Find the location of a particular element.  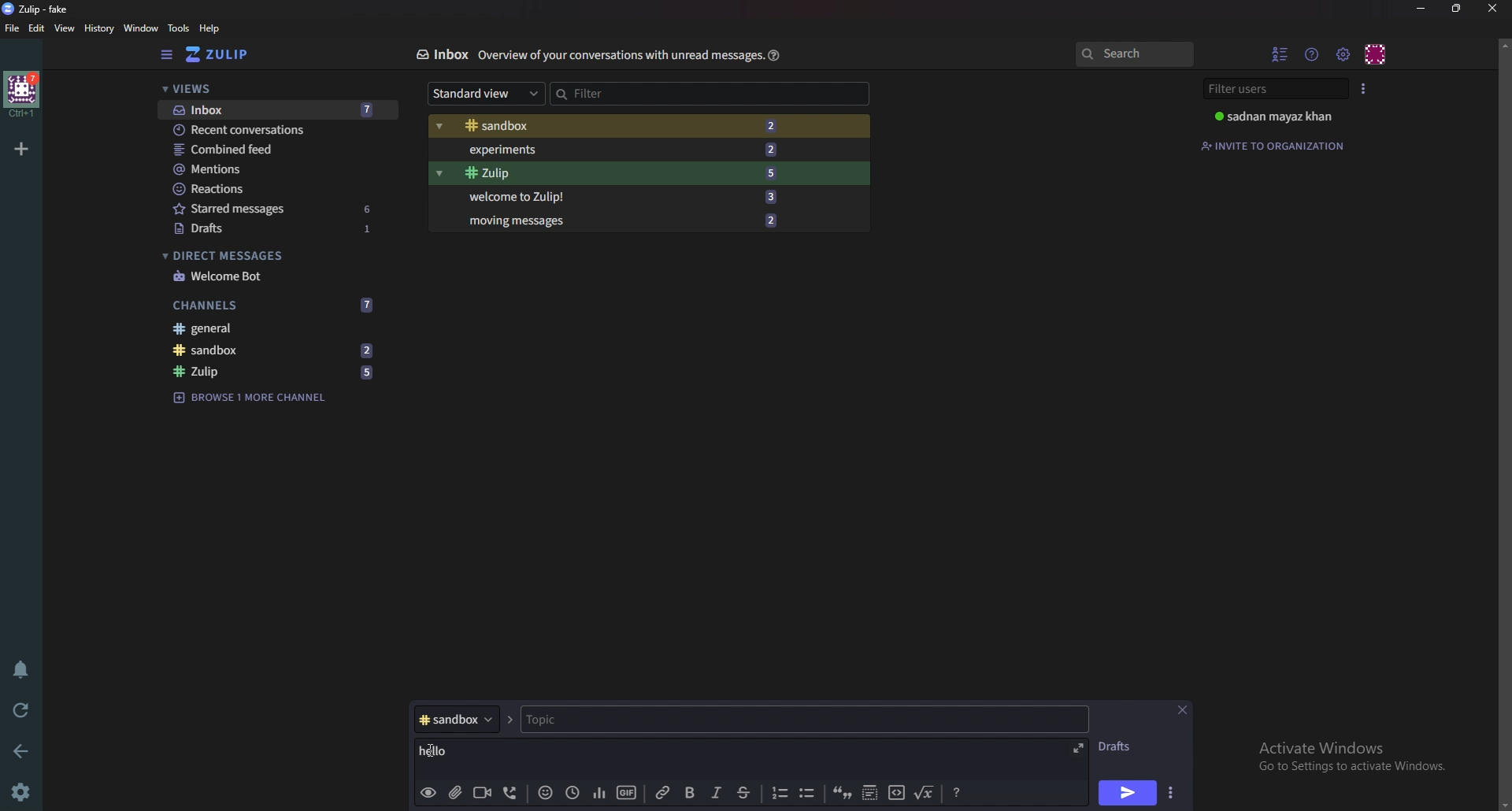

back is located at coordinates (25, 749).